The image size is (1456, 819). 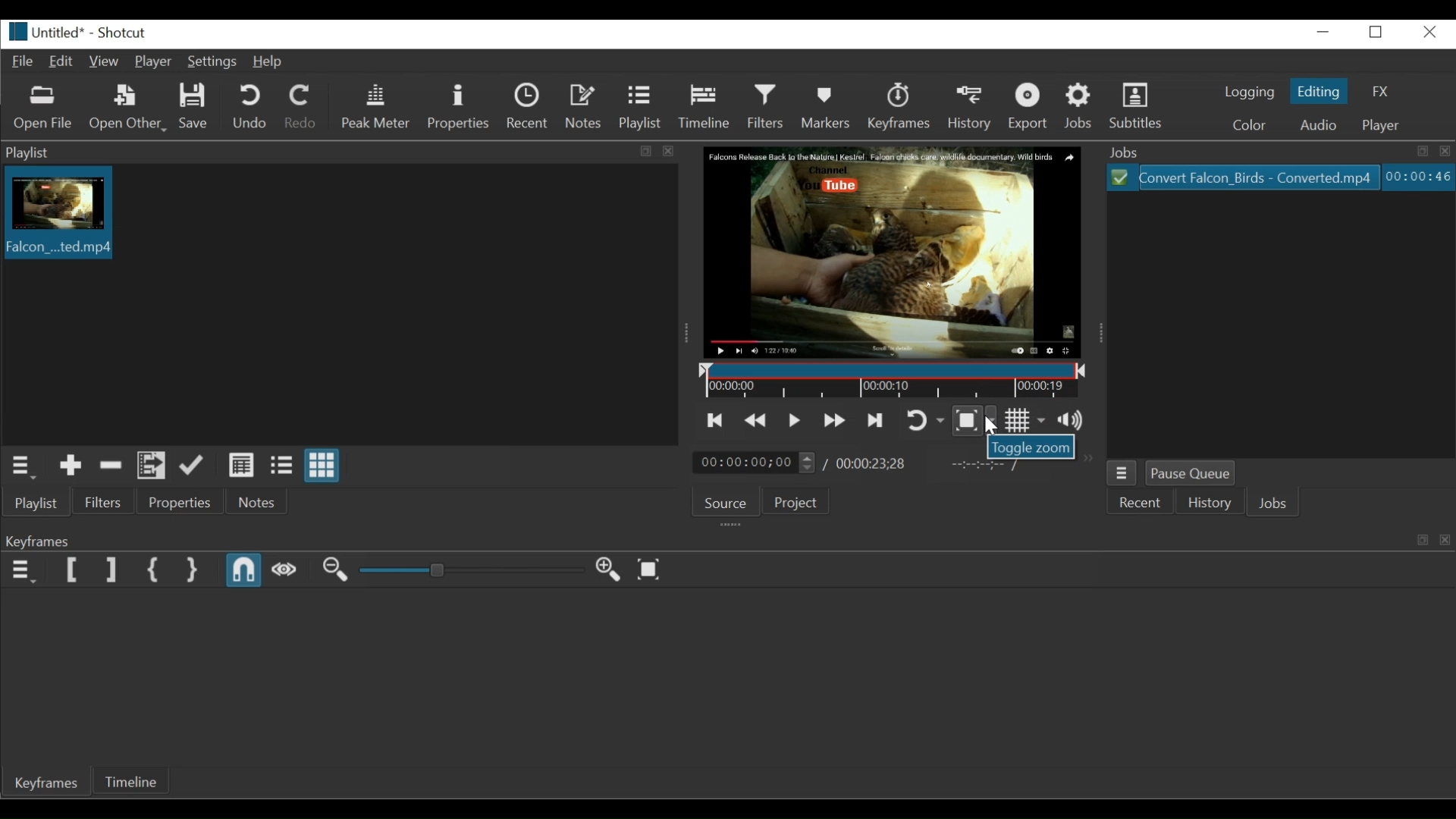 I want to click on player, so click(x=1379, y=125).